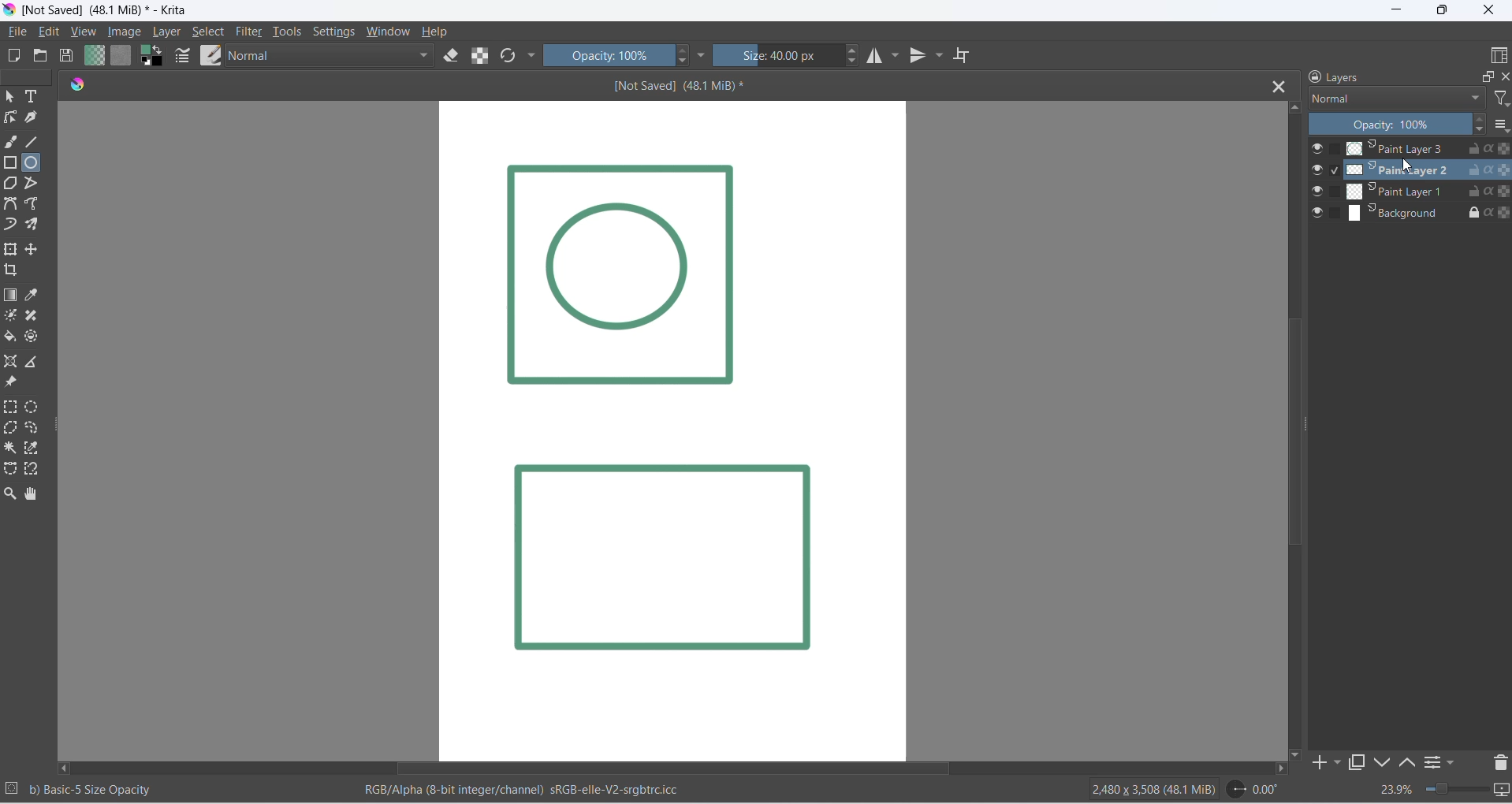  What do you see at coordinates (10, 163) in the screenshot?
I see `rectangle tool` at bounding box center [10, 163].